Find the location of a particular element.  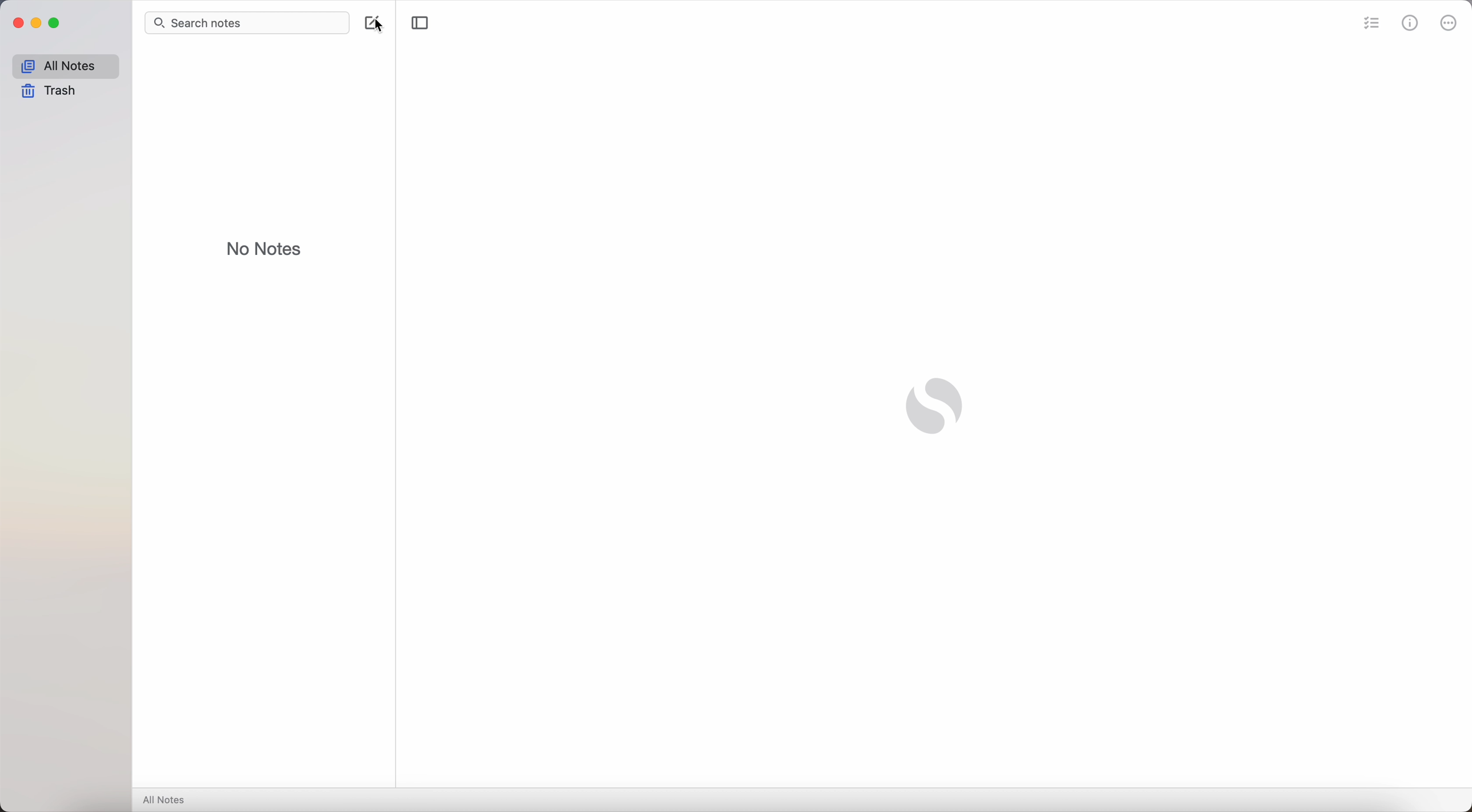

check list is located at coordinates (1369, 22).